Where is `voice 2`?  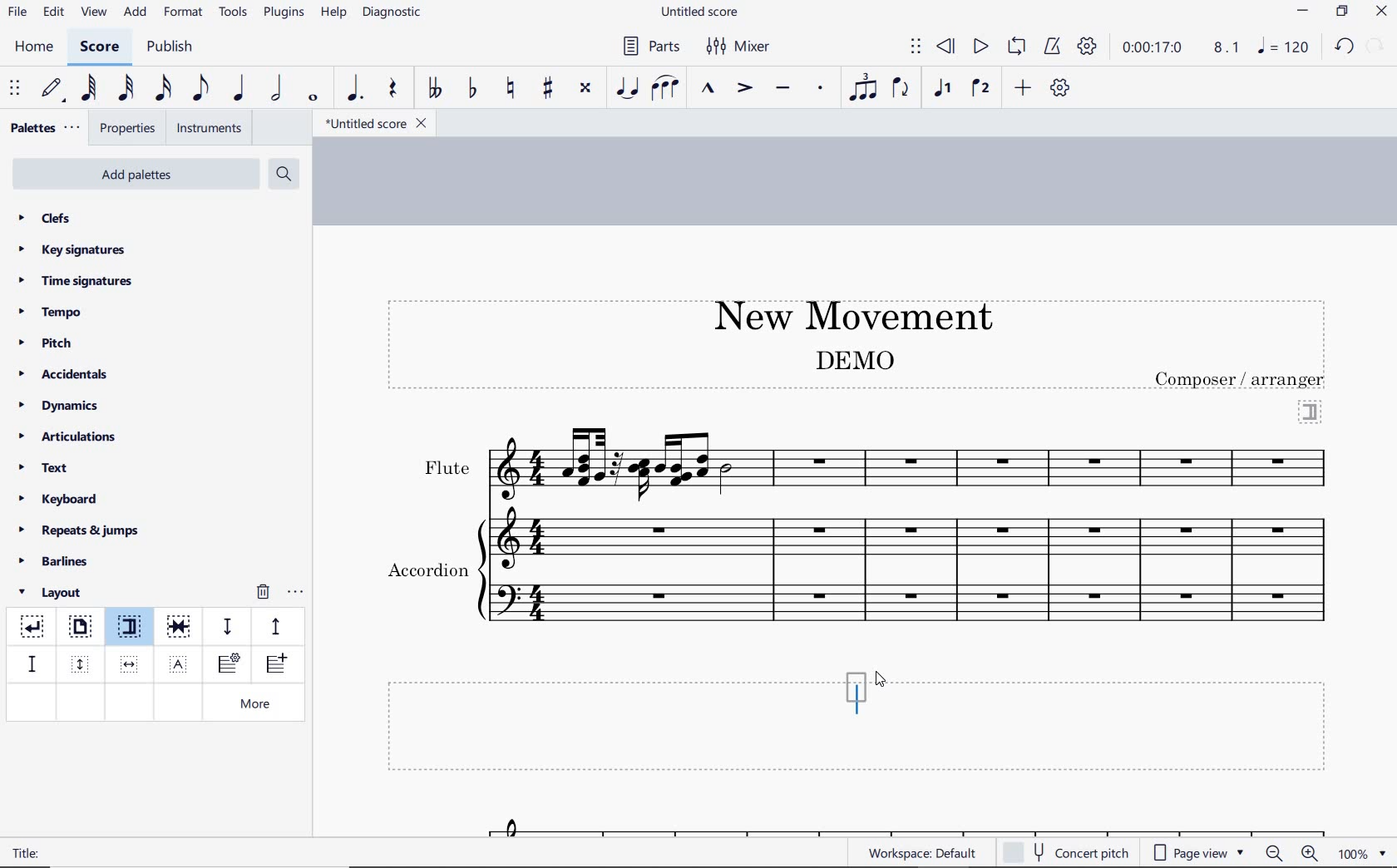
voice 2 is located at coordinates (981, 89).